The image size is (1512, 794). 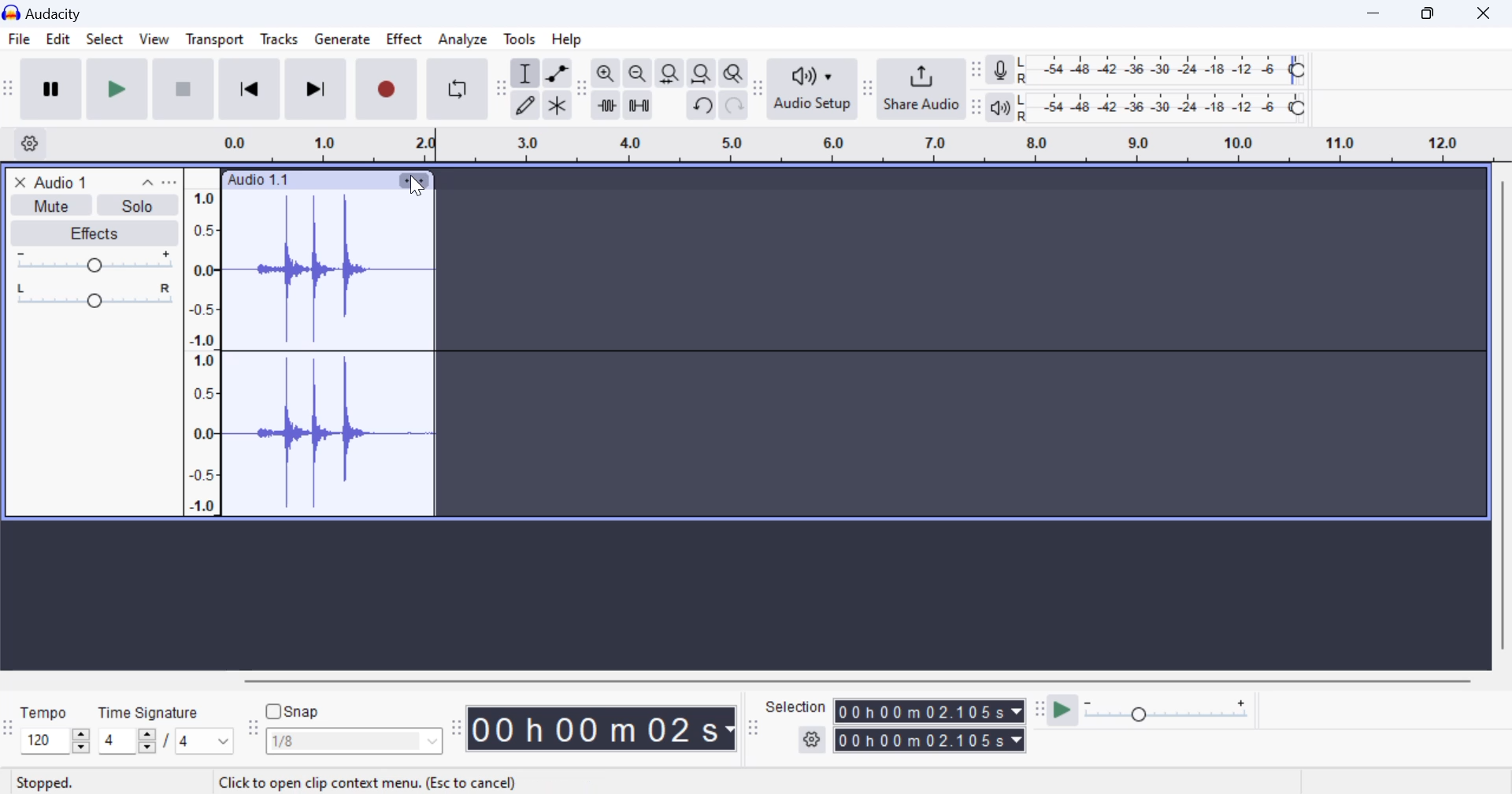 I want to click on Edit, so click(x=57, y=42).